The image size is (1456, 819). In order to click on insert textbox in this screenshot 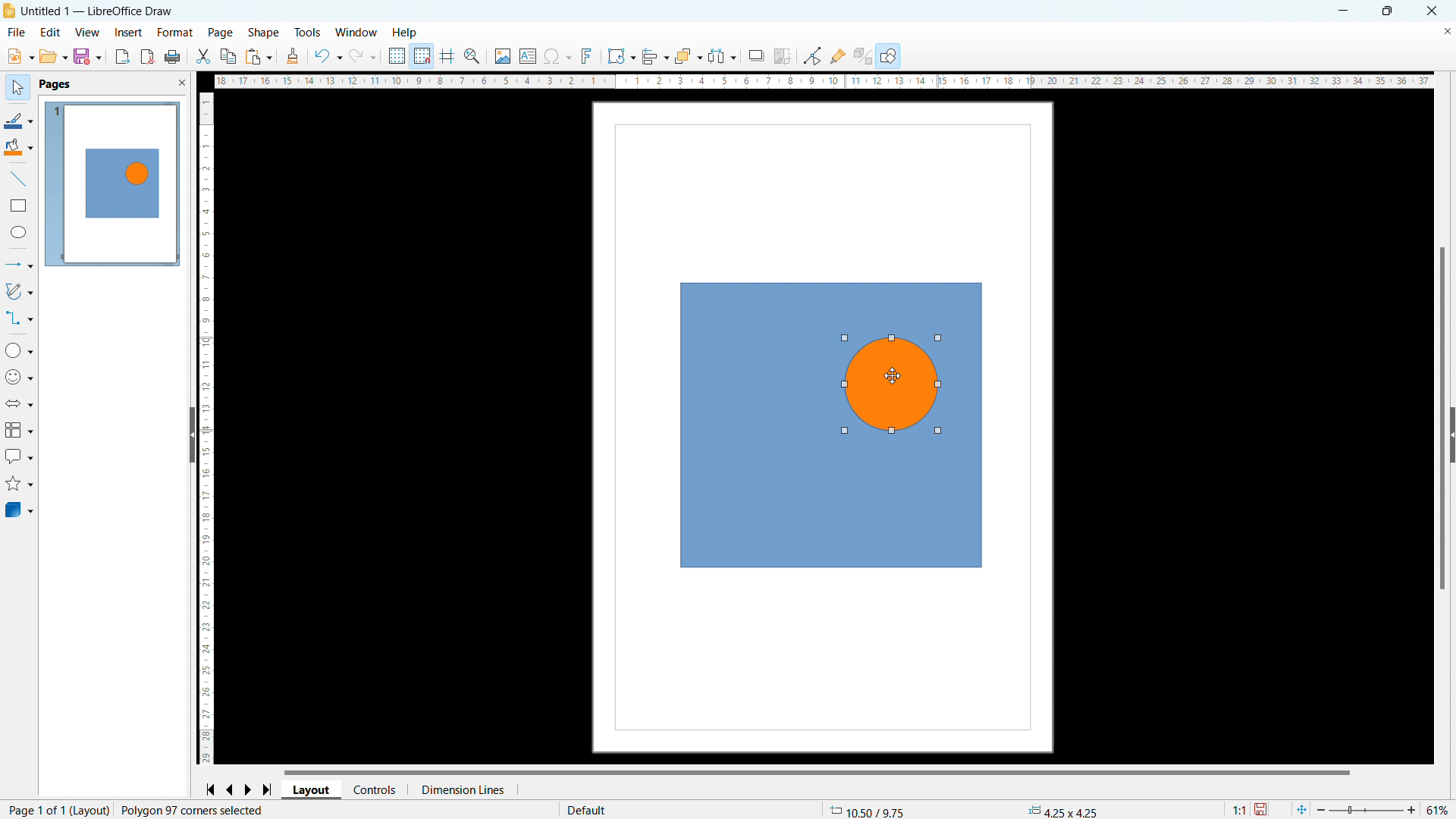, I will do `click(528, 57)`.